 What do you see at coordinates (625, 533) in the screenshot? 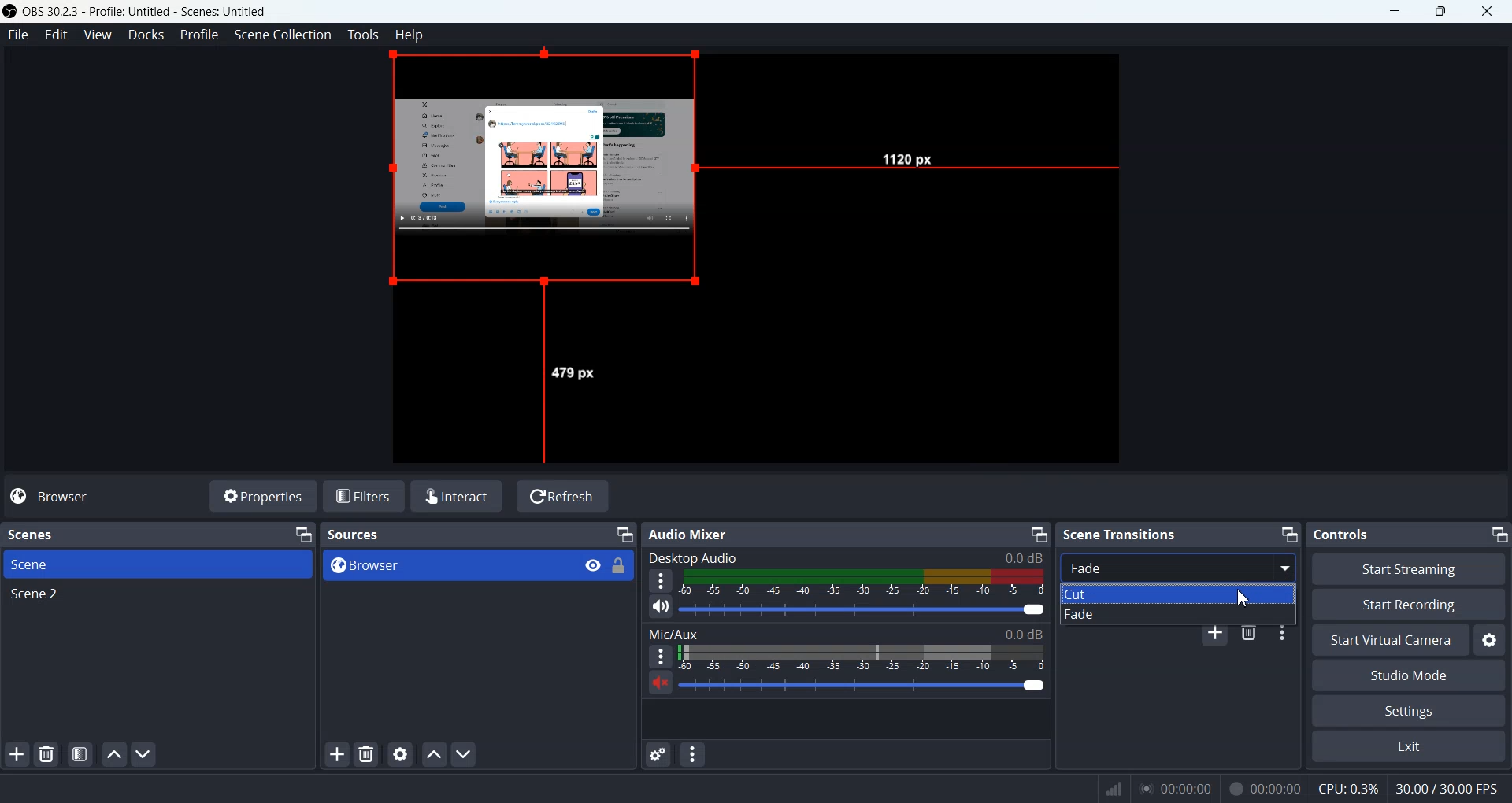
I see `Minimize` at bounding box center [625, 533].